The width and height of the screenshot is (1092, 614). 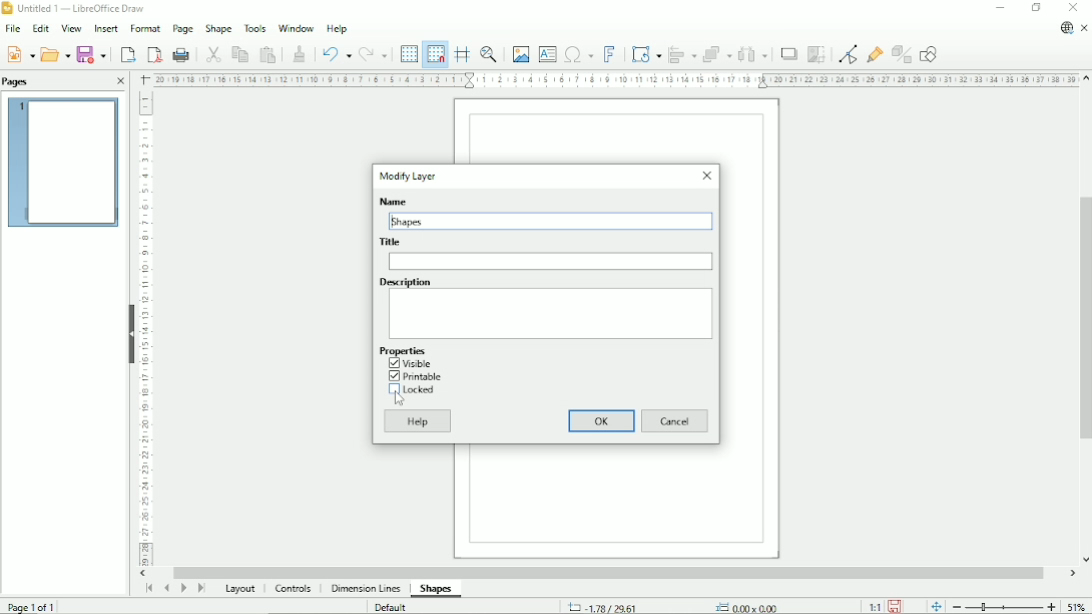 I want to click on Printable, so click(x=414, y=376).